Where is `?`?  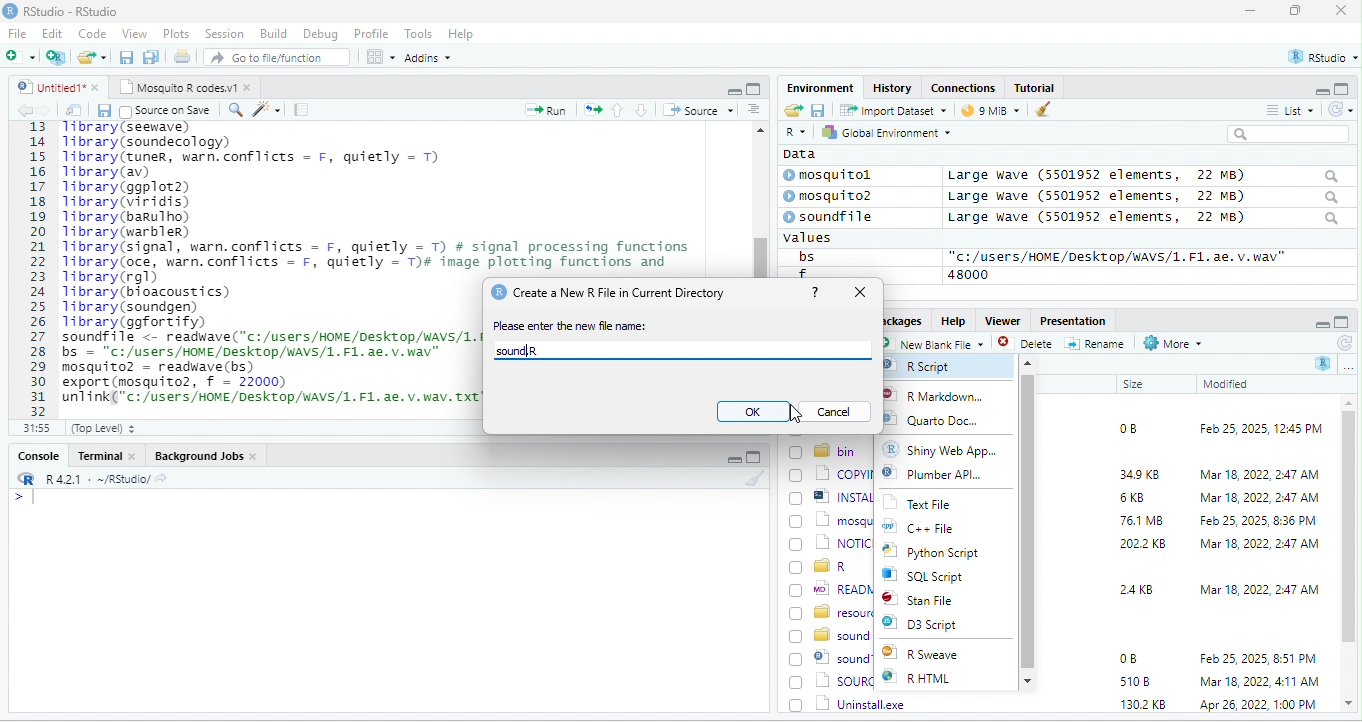
? is located at coordinates (816, 290).